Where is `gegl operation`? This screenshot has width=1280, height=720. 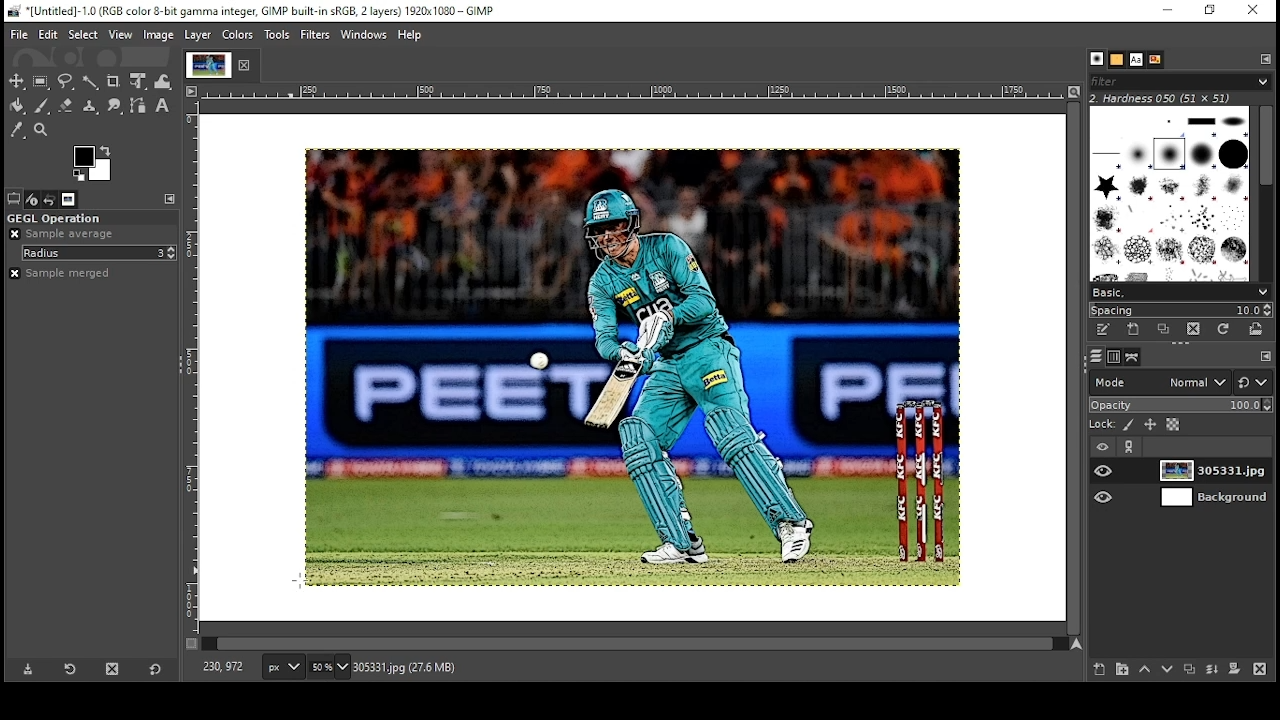 gegl operation is located at coordinates (55, 218).